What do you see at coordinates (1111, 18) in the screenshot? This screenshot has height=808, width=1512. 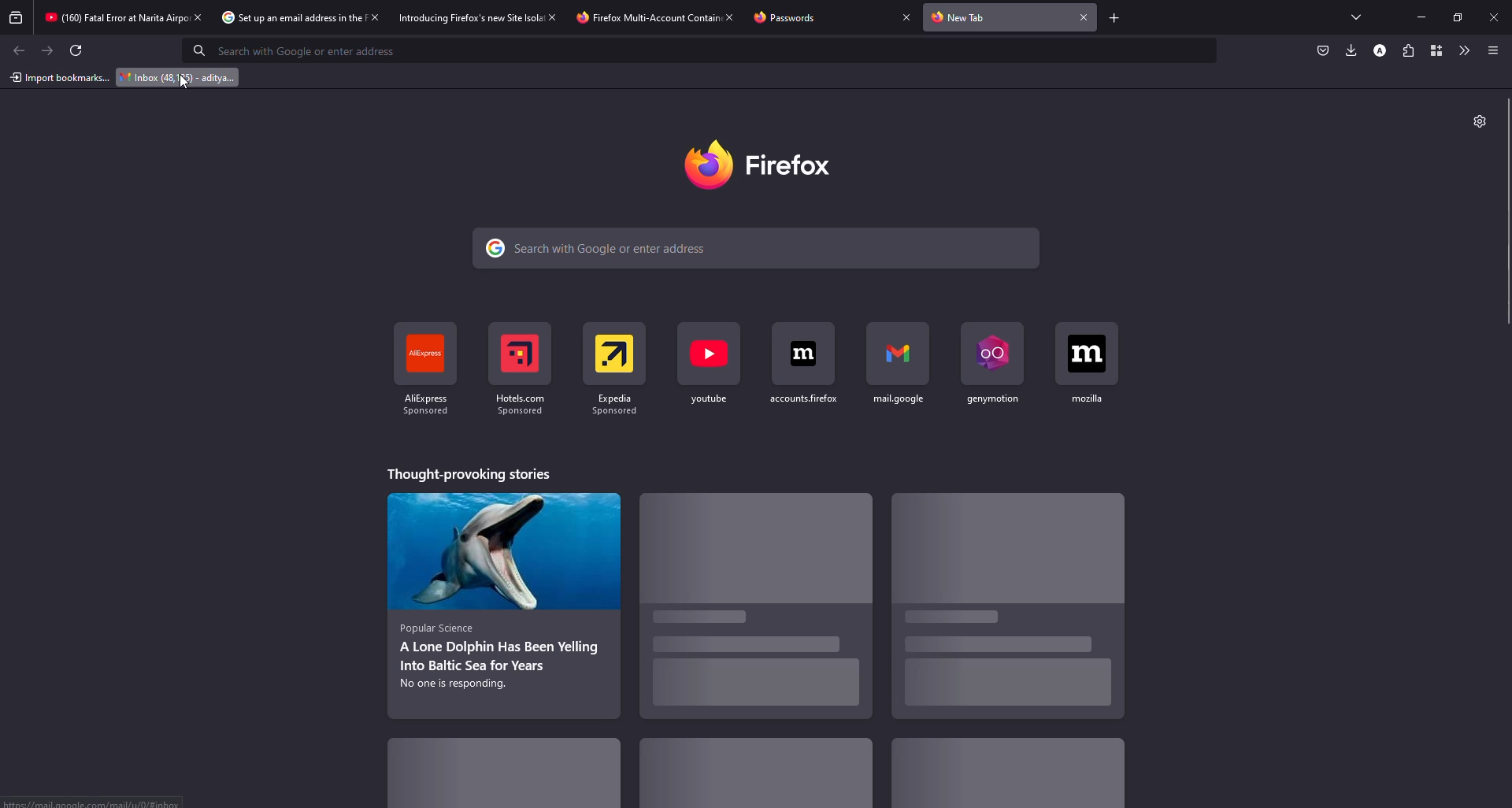 I see `add` at bounding box center [1111, 18].